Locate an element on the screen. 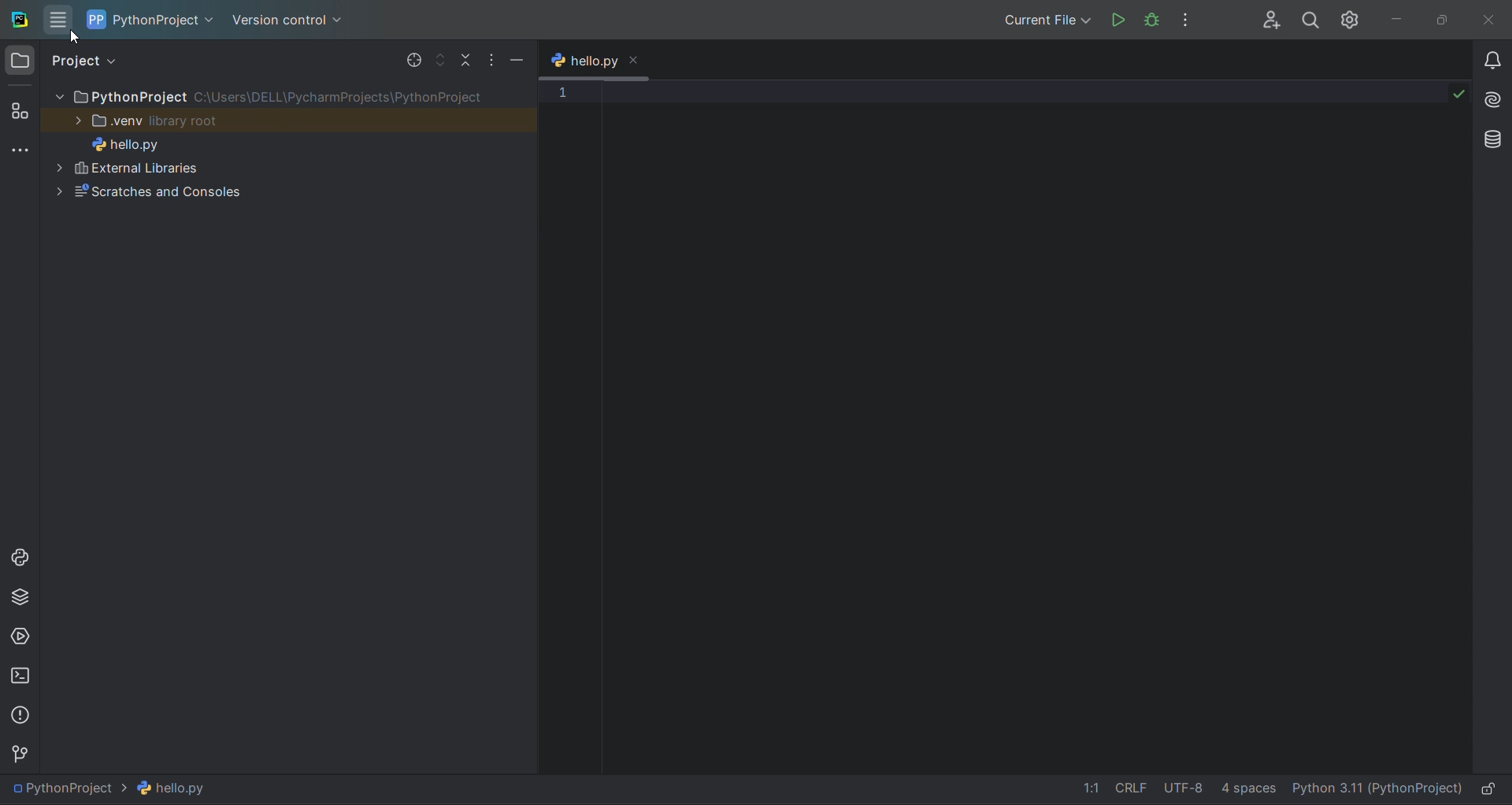 The width and height of the screenshot is (1512, 805). more tools is located at coordinates (20, 148).